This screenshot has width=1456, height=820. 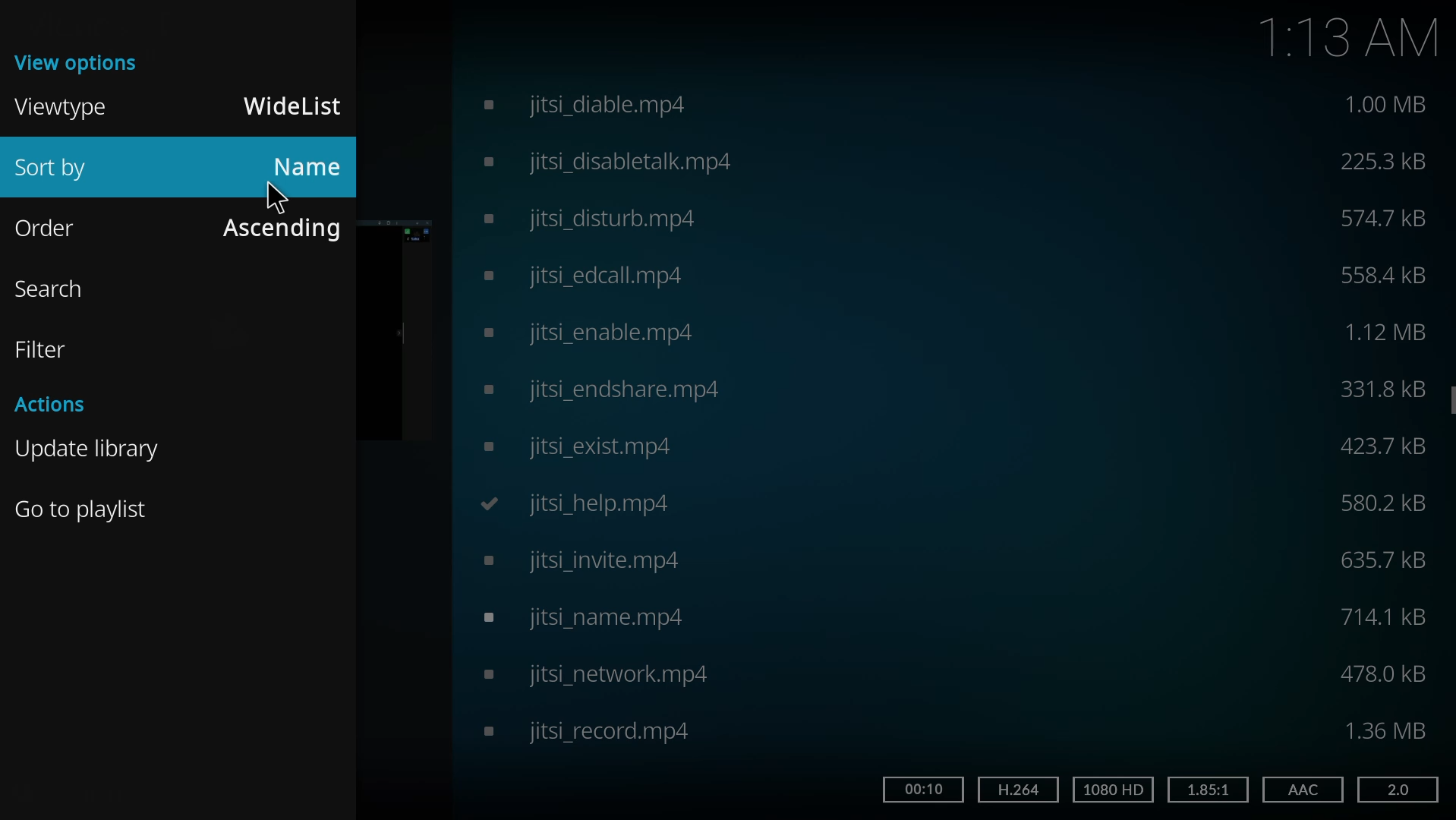 What do you see at coordinates (1388, 729) in the screenshot?
I see `size` at bounding box center [1388, 729].